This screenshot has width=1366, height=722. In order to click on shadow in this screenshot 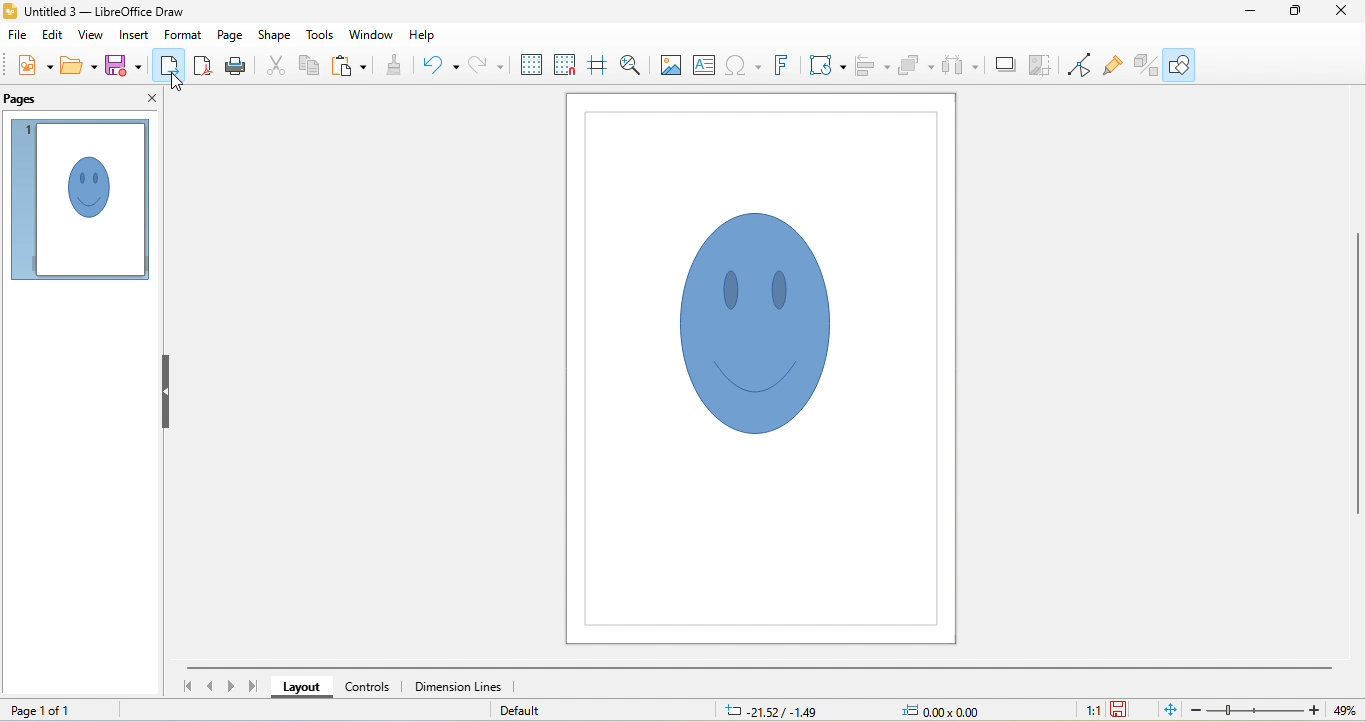, I will do `click(1003, 63)`.